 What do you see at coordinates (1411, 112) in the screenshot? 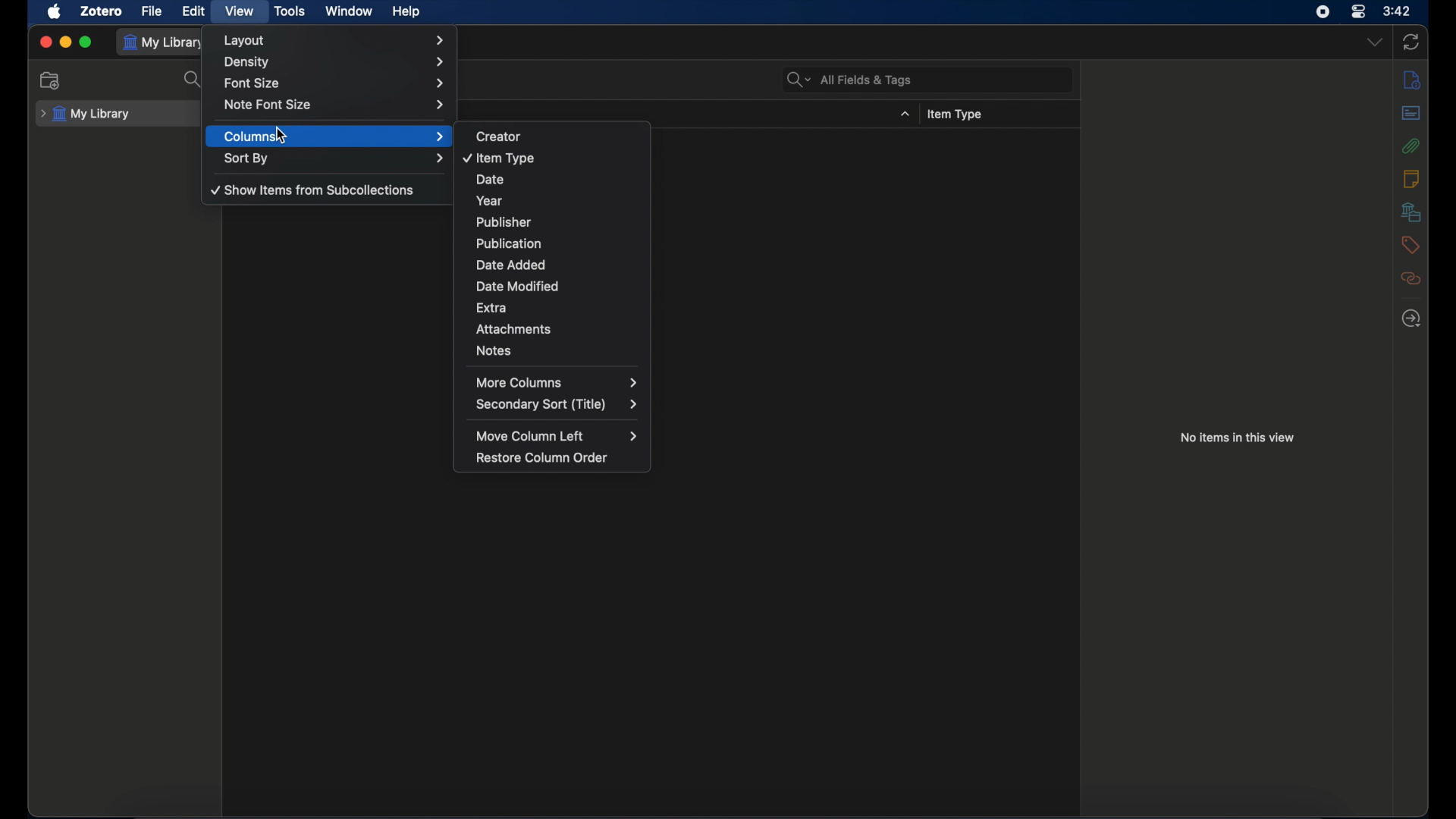
I see `abstract` at bounding box center [1411, 112].